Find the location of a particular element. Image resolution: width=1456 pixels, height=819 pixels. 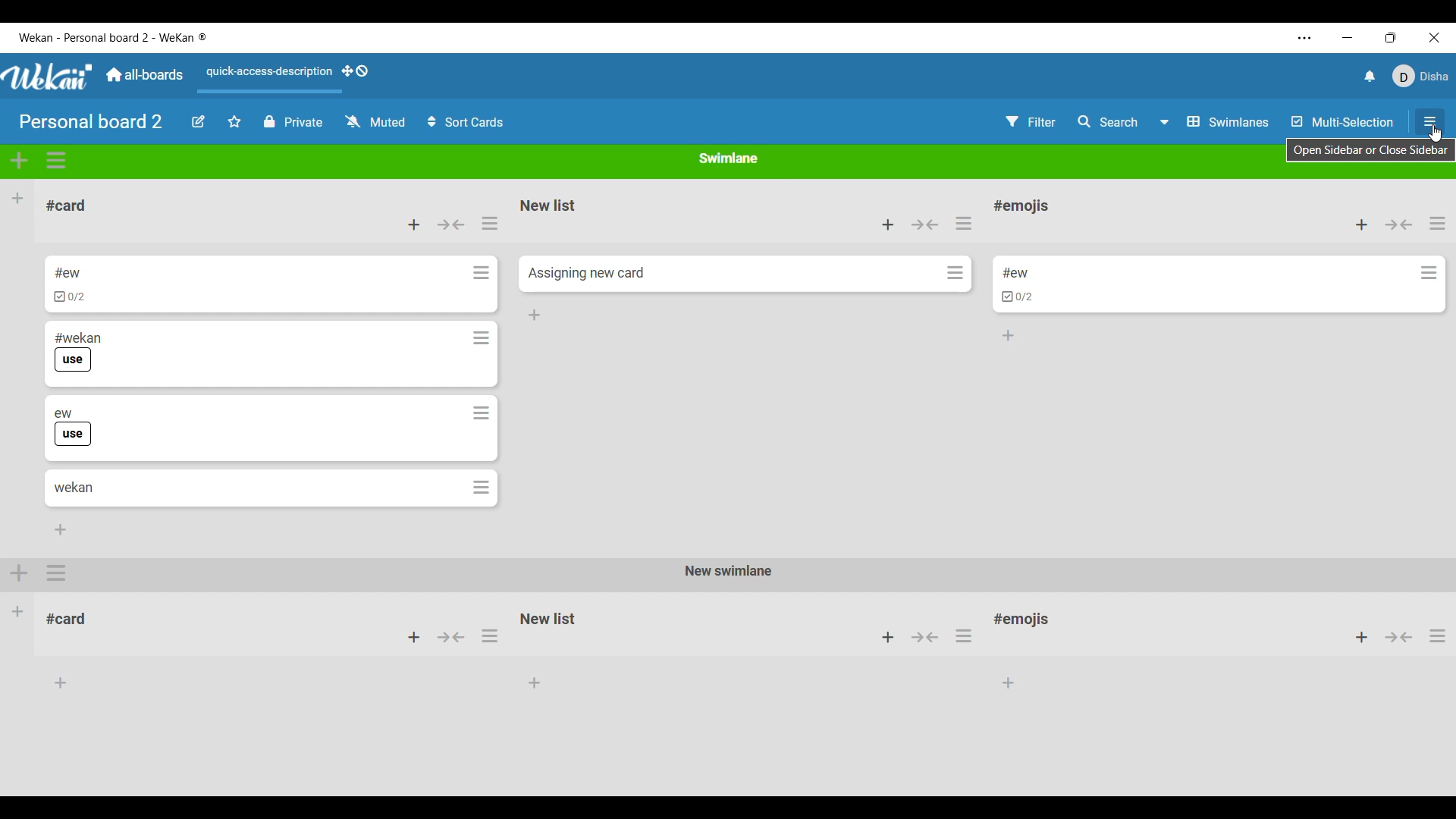

Cursor on Close/Open sidebar is located at coordinates (1432, 125).